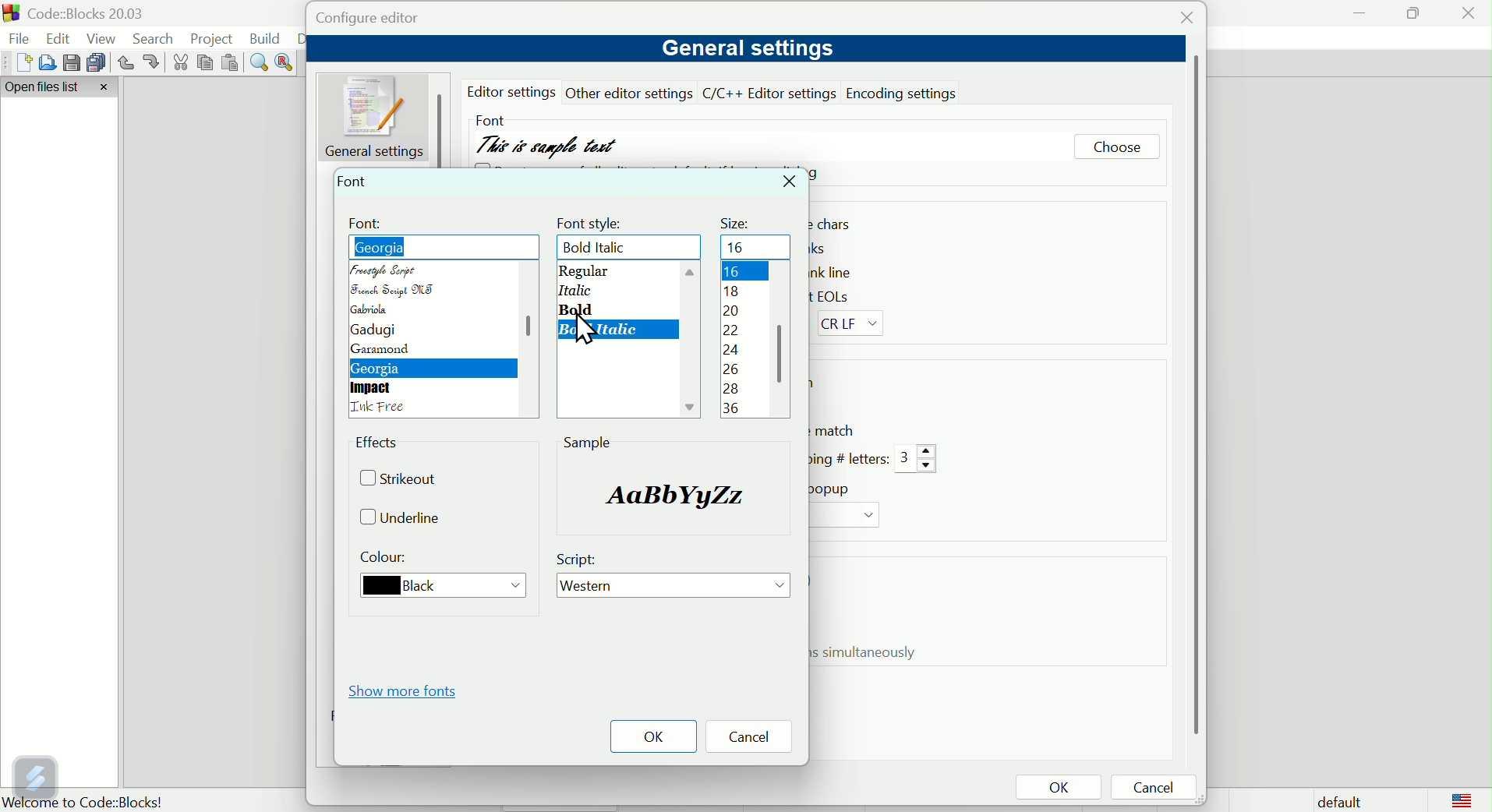 The width and height of the screenshot is (1492, 812). Describe the element at coordinates (1469, 17) in the screenshot. I see `Close` at that location.